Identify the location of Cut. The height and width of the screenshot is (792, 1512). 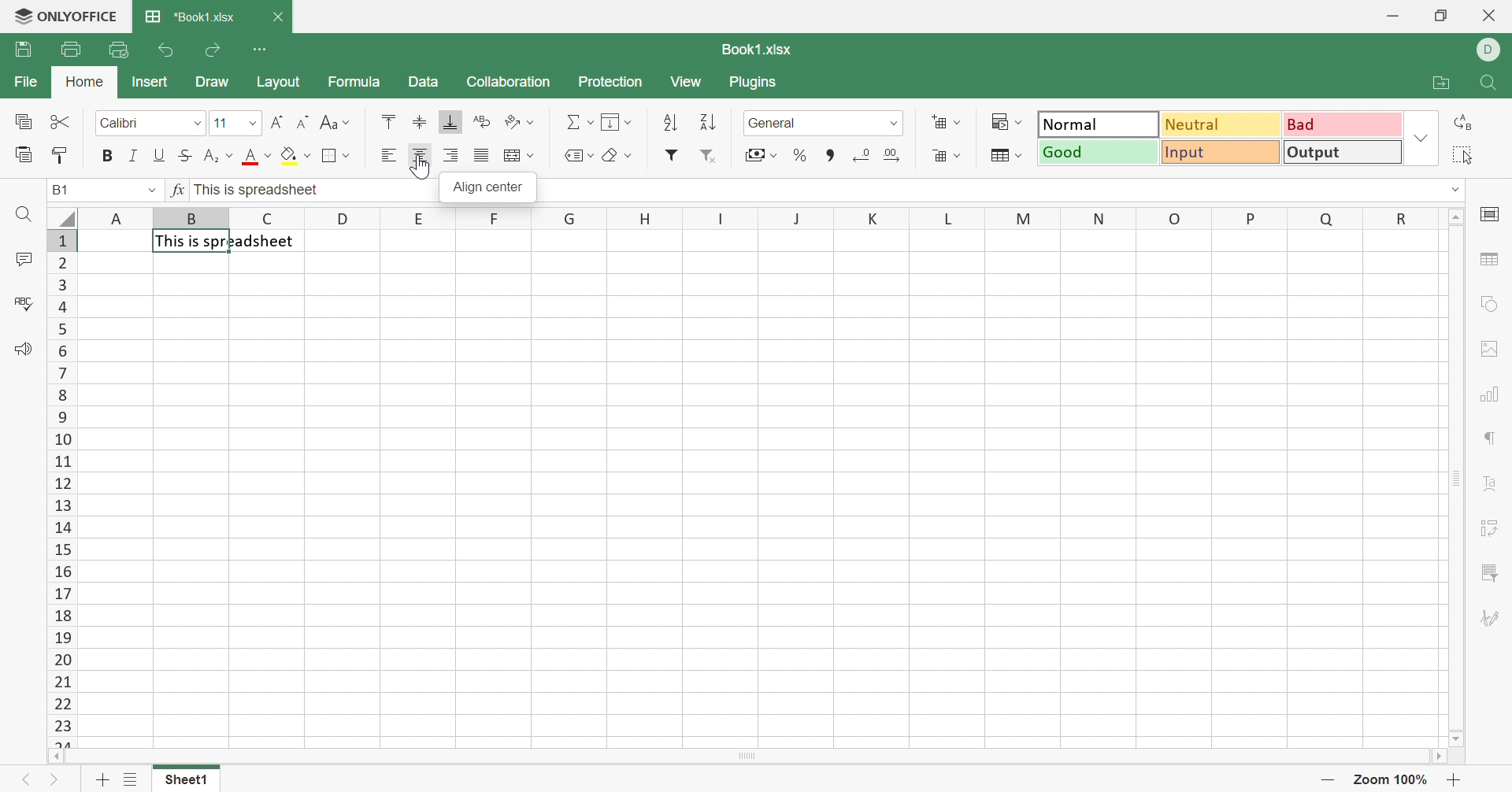
(60, 120).